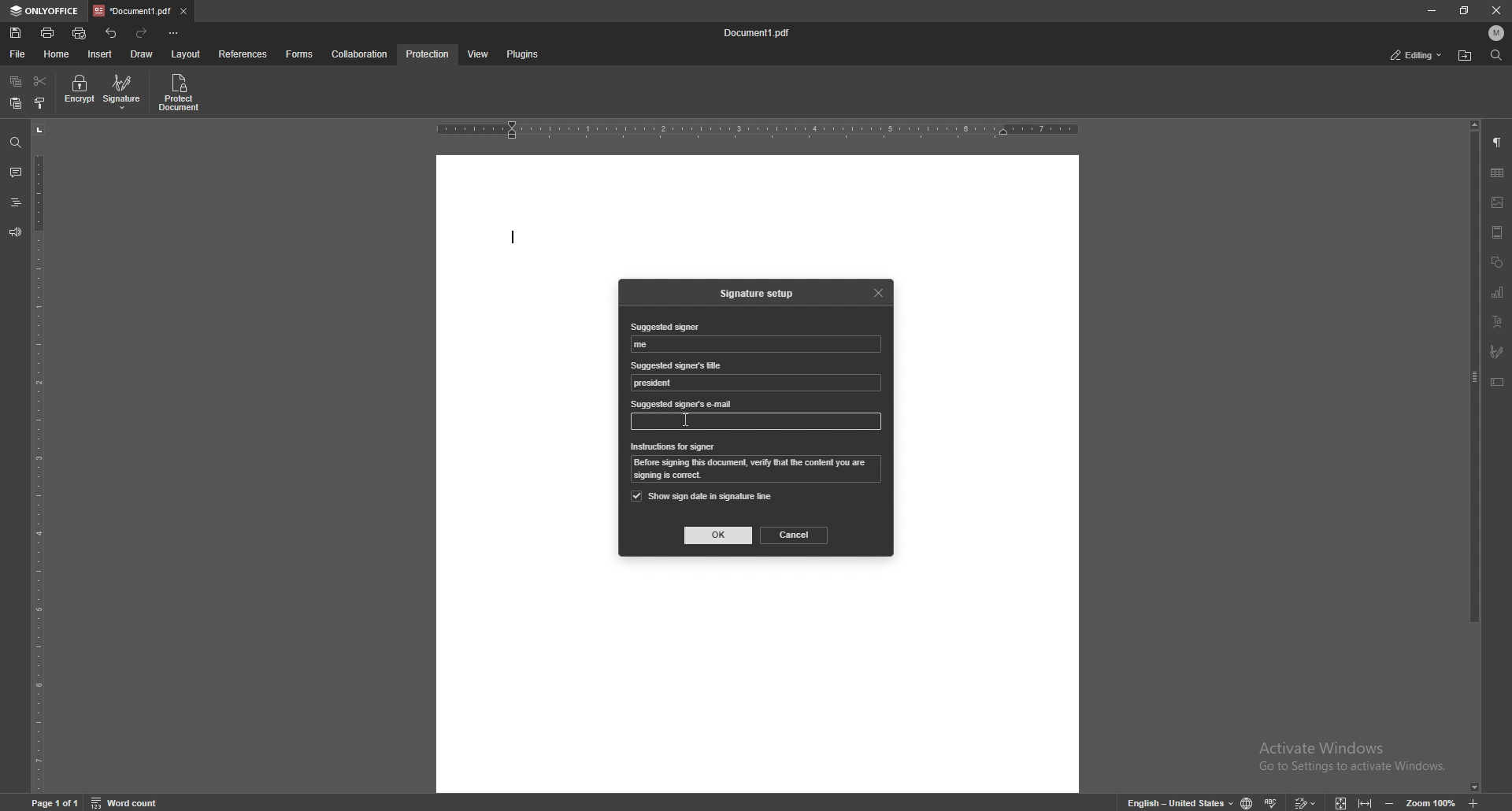 Image resolution: width=1512 pixels, height=811 pixels. I want to click on image, so click(1498, 202).